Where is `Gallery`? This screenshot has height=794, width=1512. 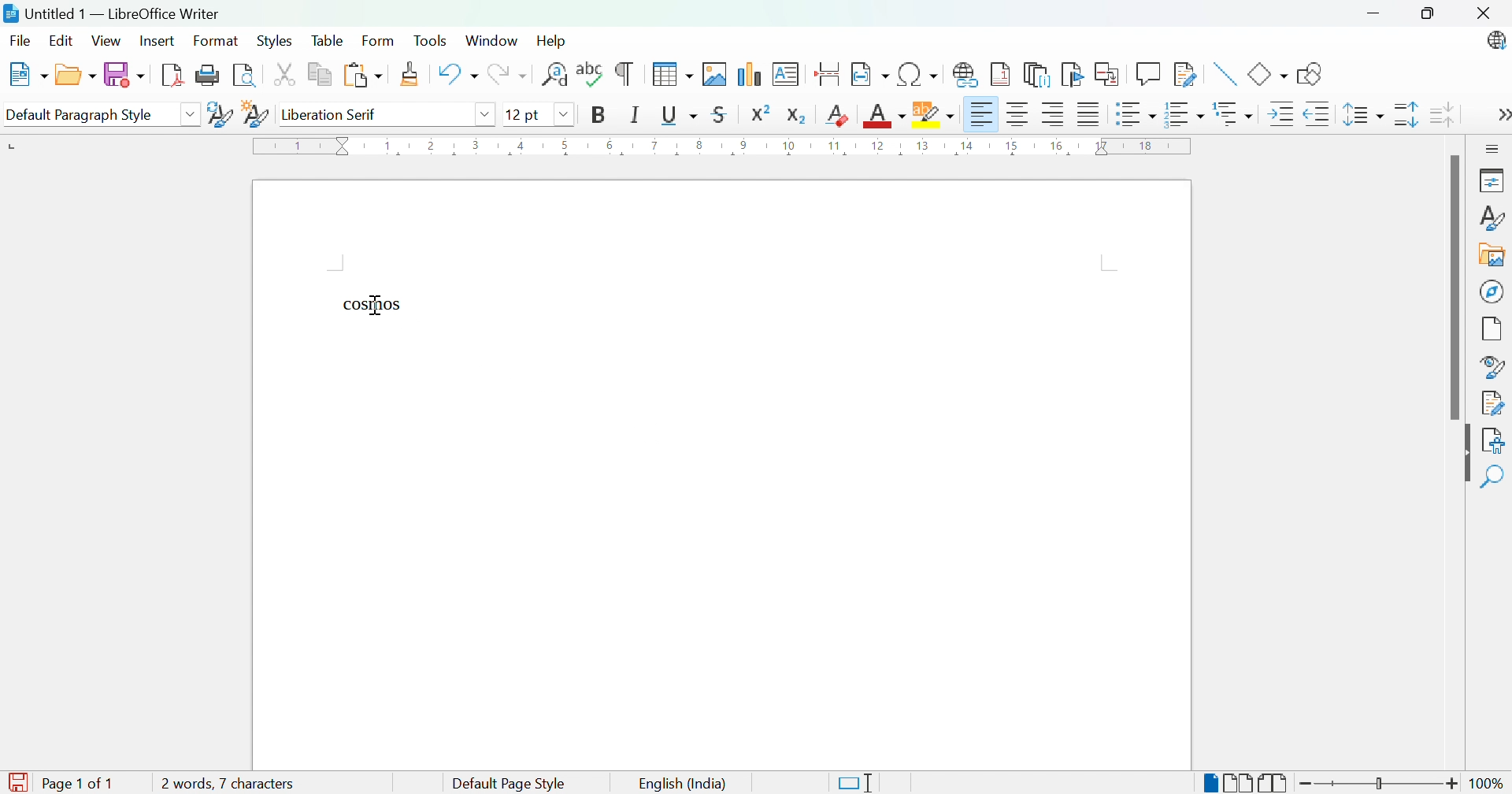
Gallery is located at coordinates (1489, 254).